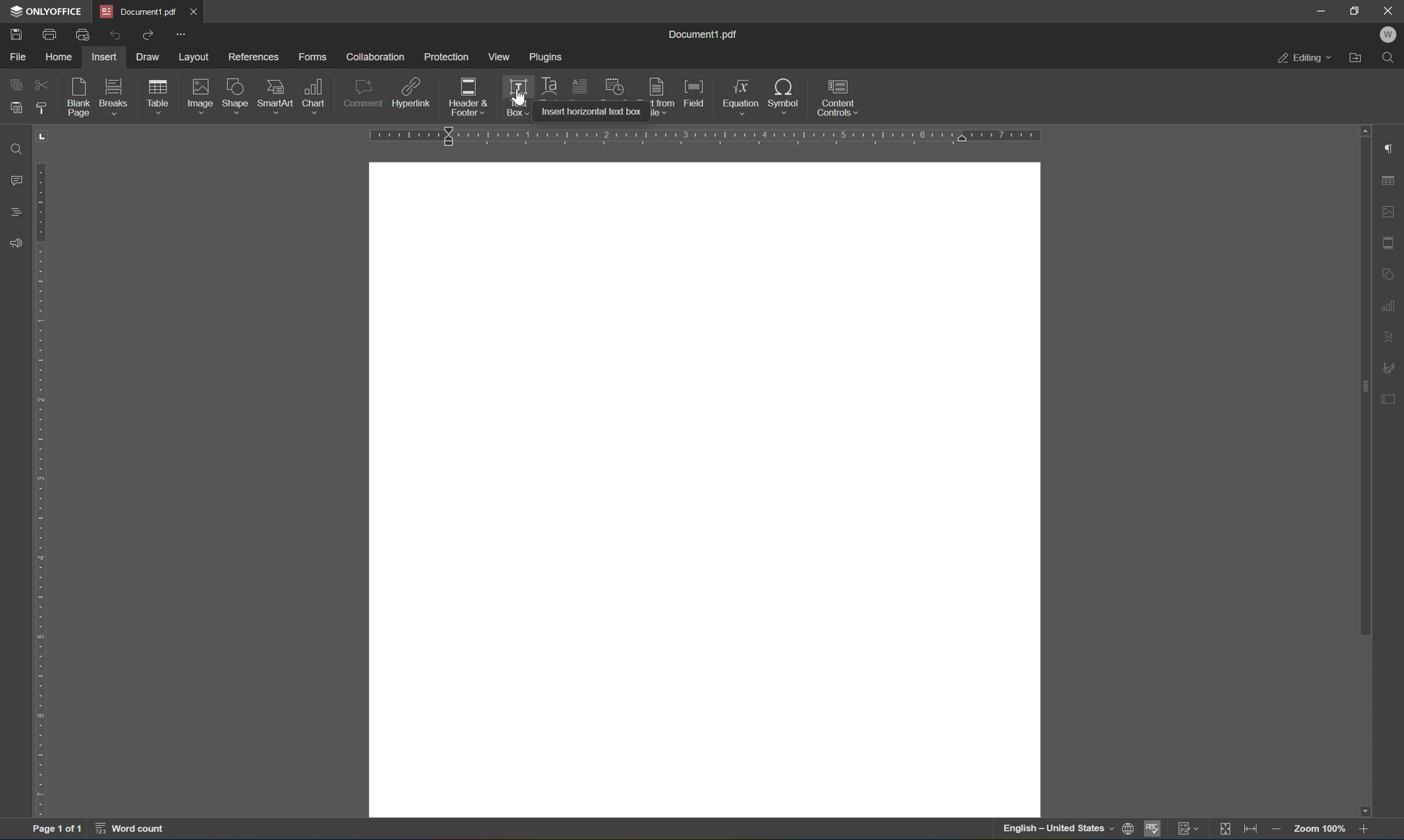 The height and width of the screenshot is (840, 1404). Describe the element at coordinates (61, 57) in the screenshot. I see `home` at that location.